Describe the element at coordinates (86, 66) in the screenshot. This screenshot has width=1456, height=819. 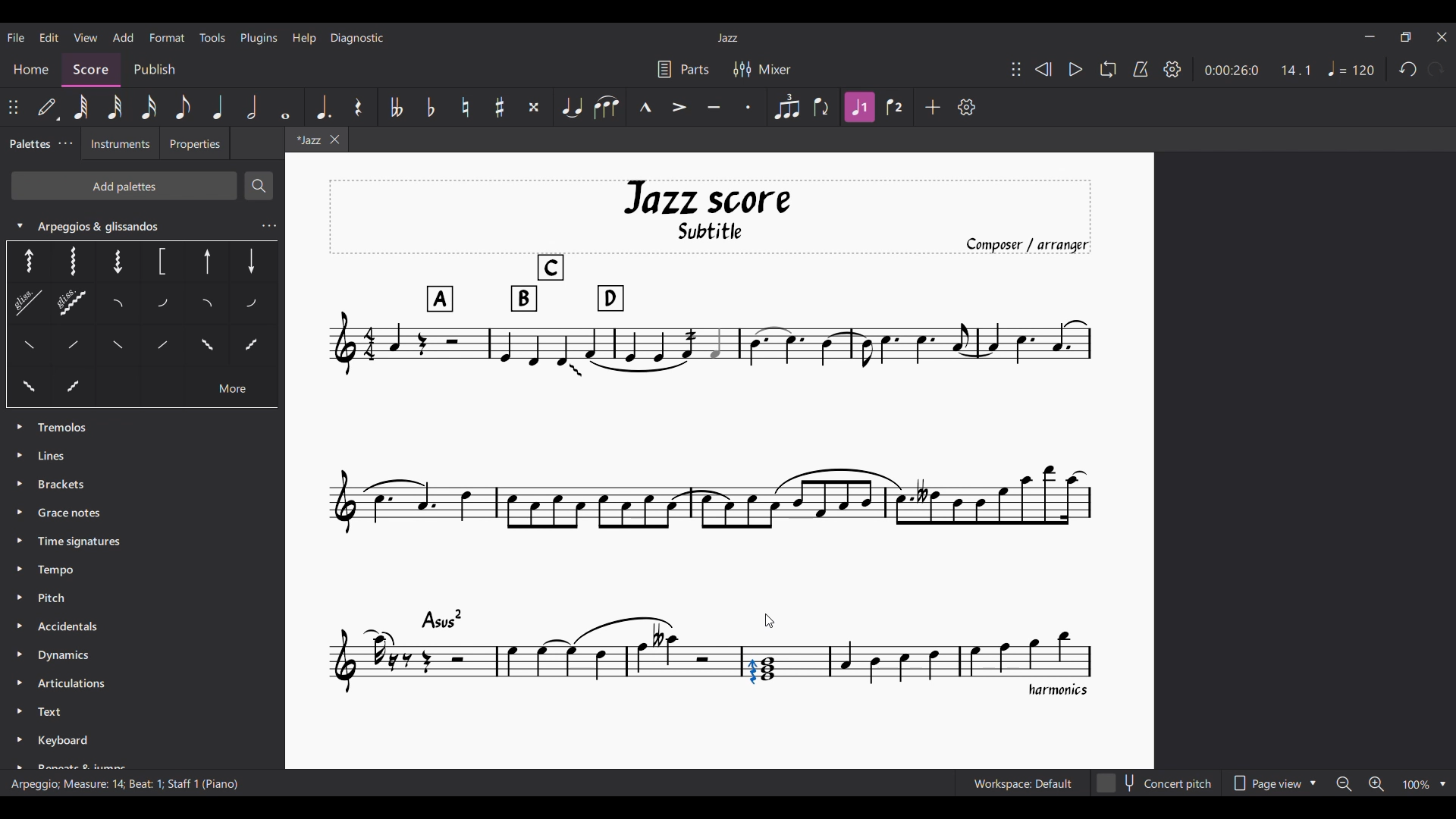
I see `Score, current section highlighted` at that location.